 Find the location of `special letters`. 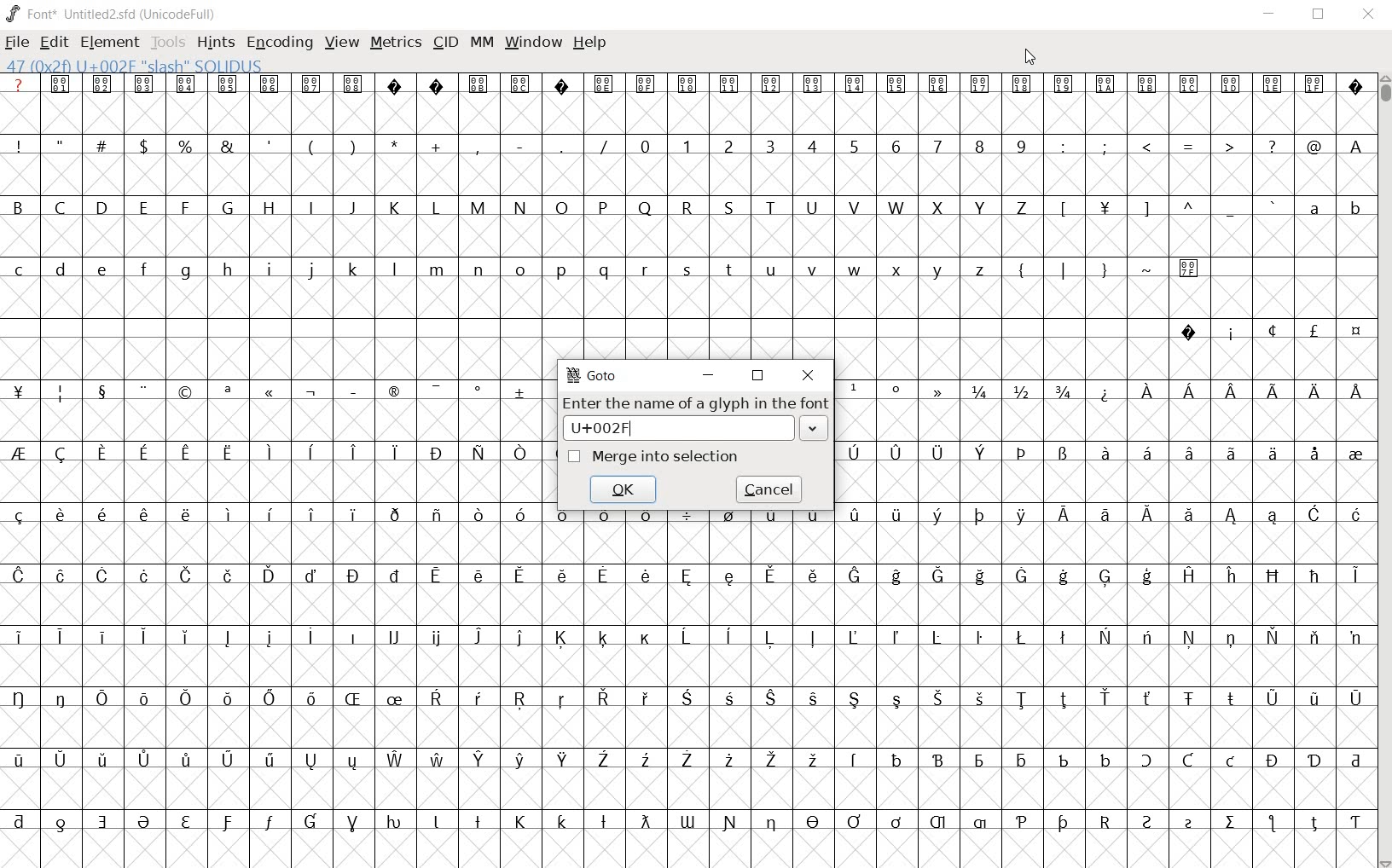

special letters is located at coordinates (690, 636).